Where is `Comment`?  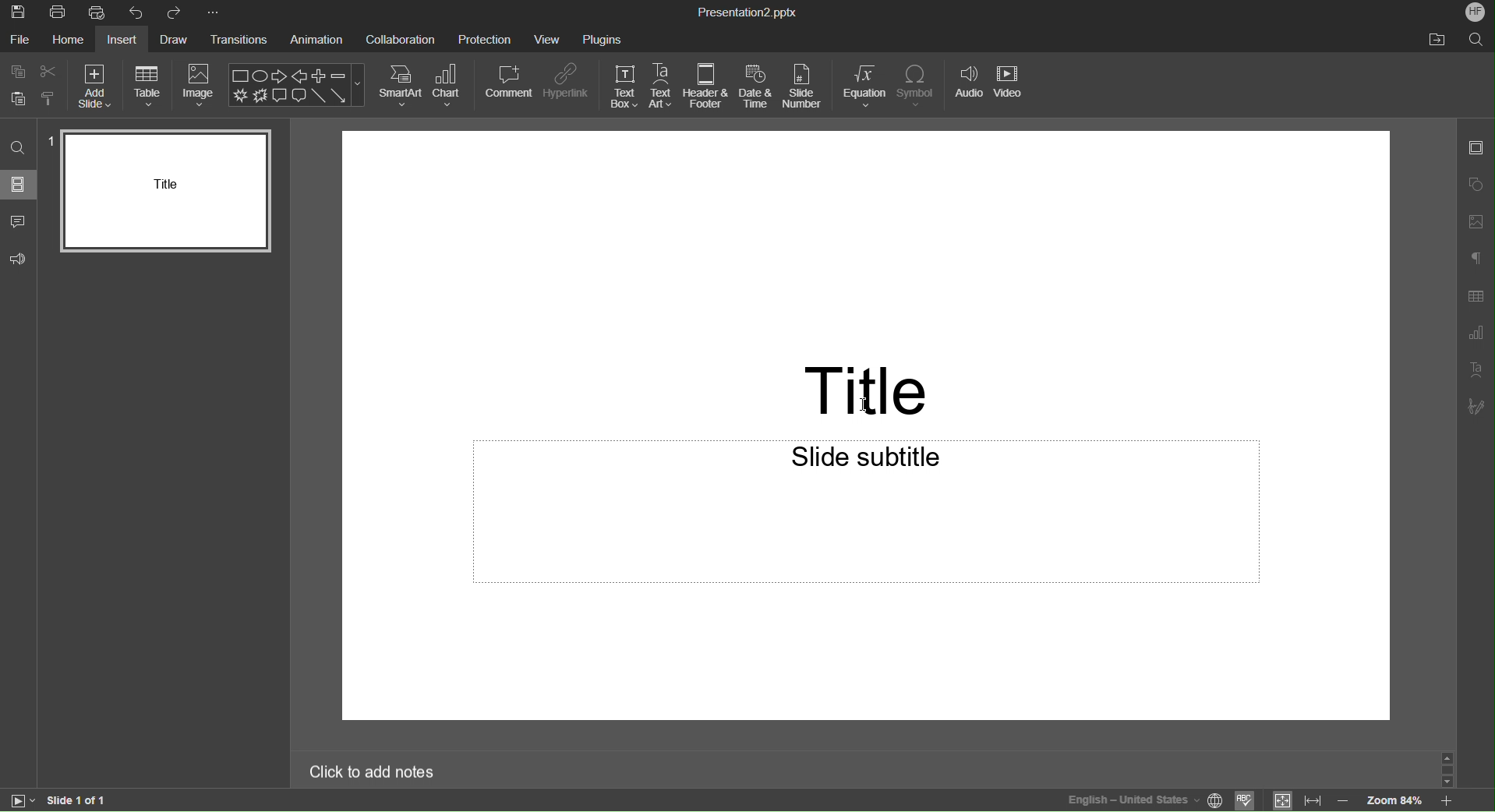 Comment is located at coordinates (19, 221).